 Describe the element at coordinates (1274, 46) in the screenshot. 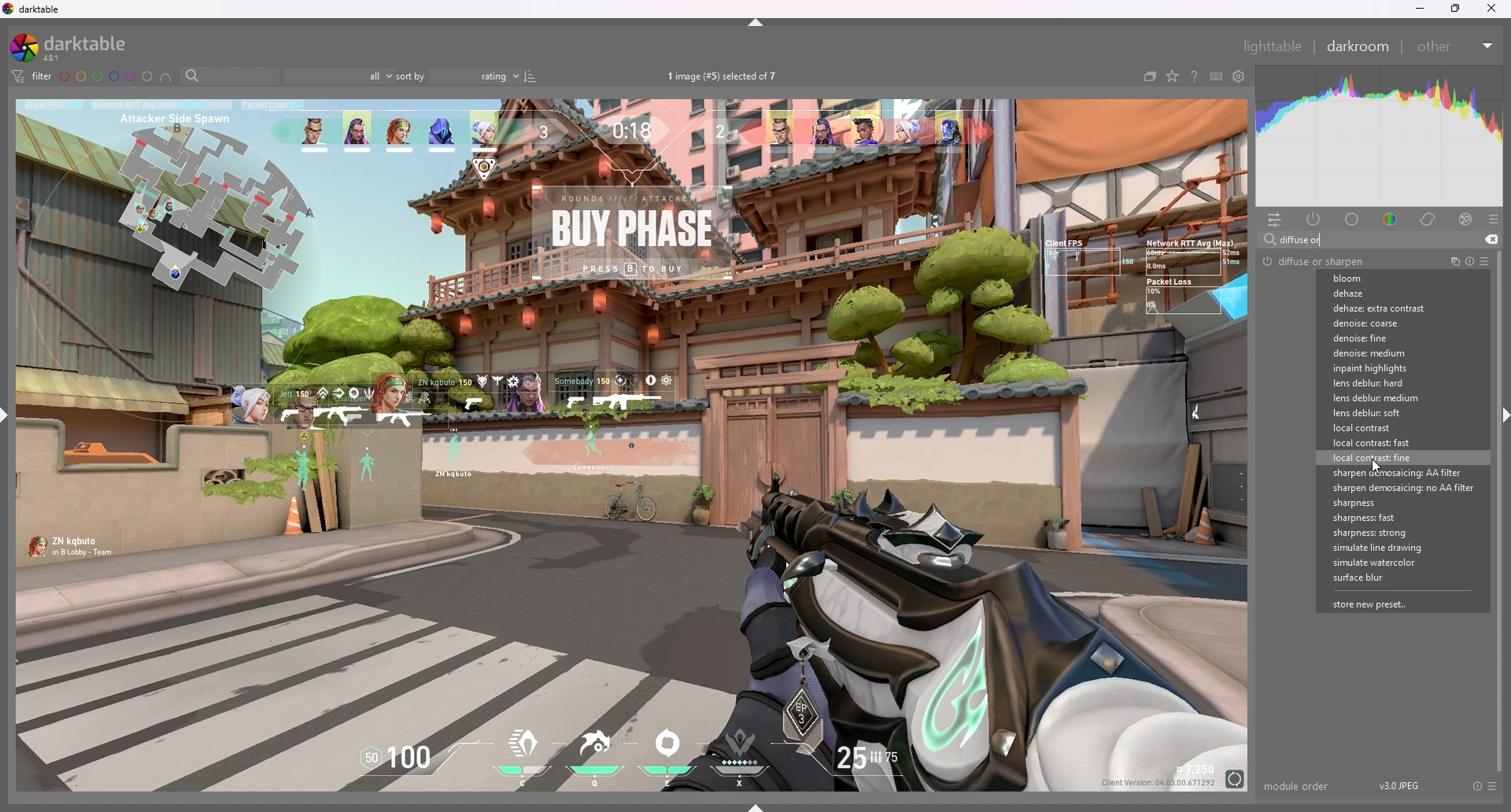

I see `lighttable` at that location.